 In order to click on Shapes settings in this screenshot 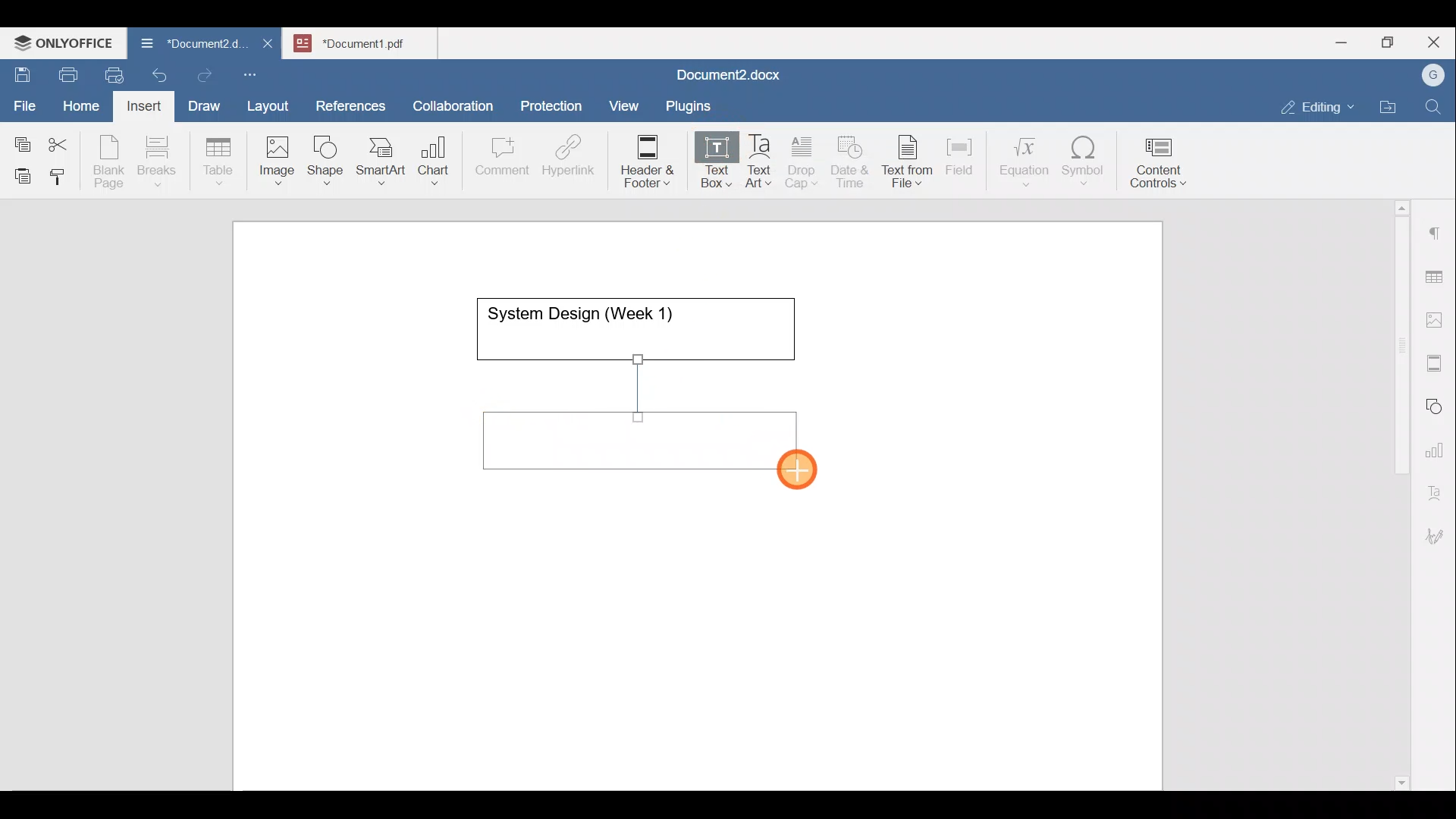, I will do `click(1437, 404)`.